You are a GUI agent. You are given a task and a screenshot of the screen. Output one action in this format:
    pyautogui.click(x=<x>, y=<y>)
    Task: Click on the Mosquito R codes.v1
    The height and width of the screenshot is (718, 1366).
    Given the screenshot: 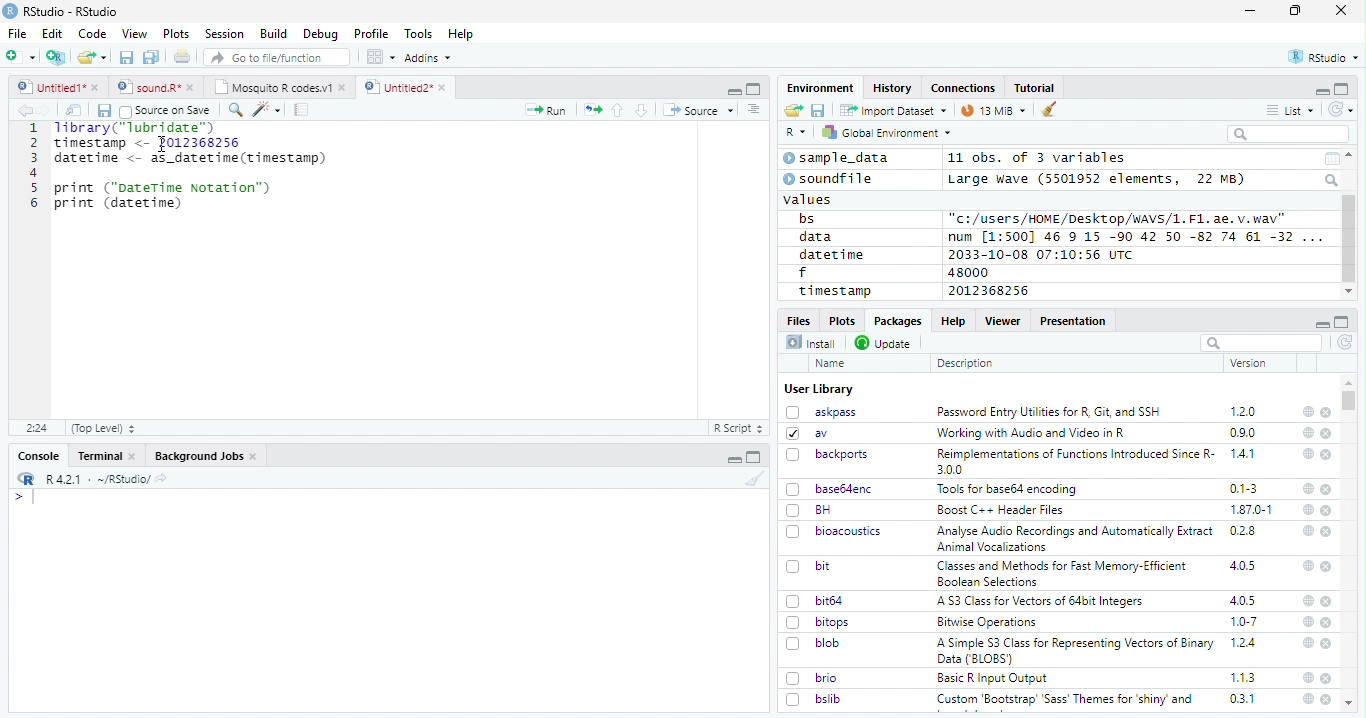 What is the action you would take?
    pyautogui.click(x=279, y=87)
    